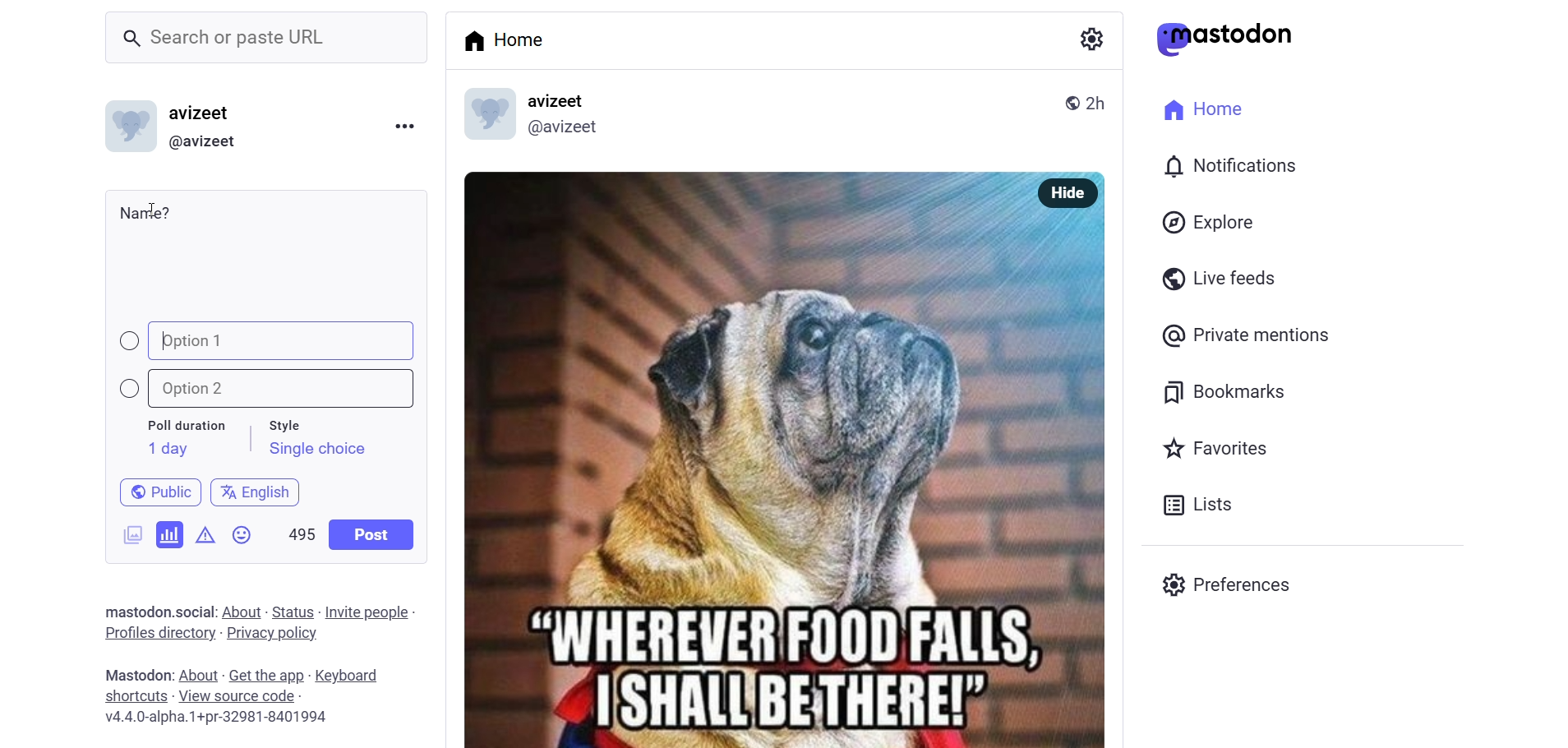 Image resolution: width=1568 pixels, height=748 pixels. What do you see at coordinates (204, 115) in the screenshot?
I see `avizeet` at bounding box center [204, 115].